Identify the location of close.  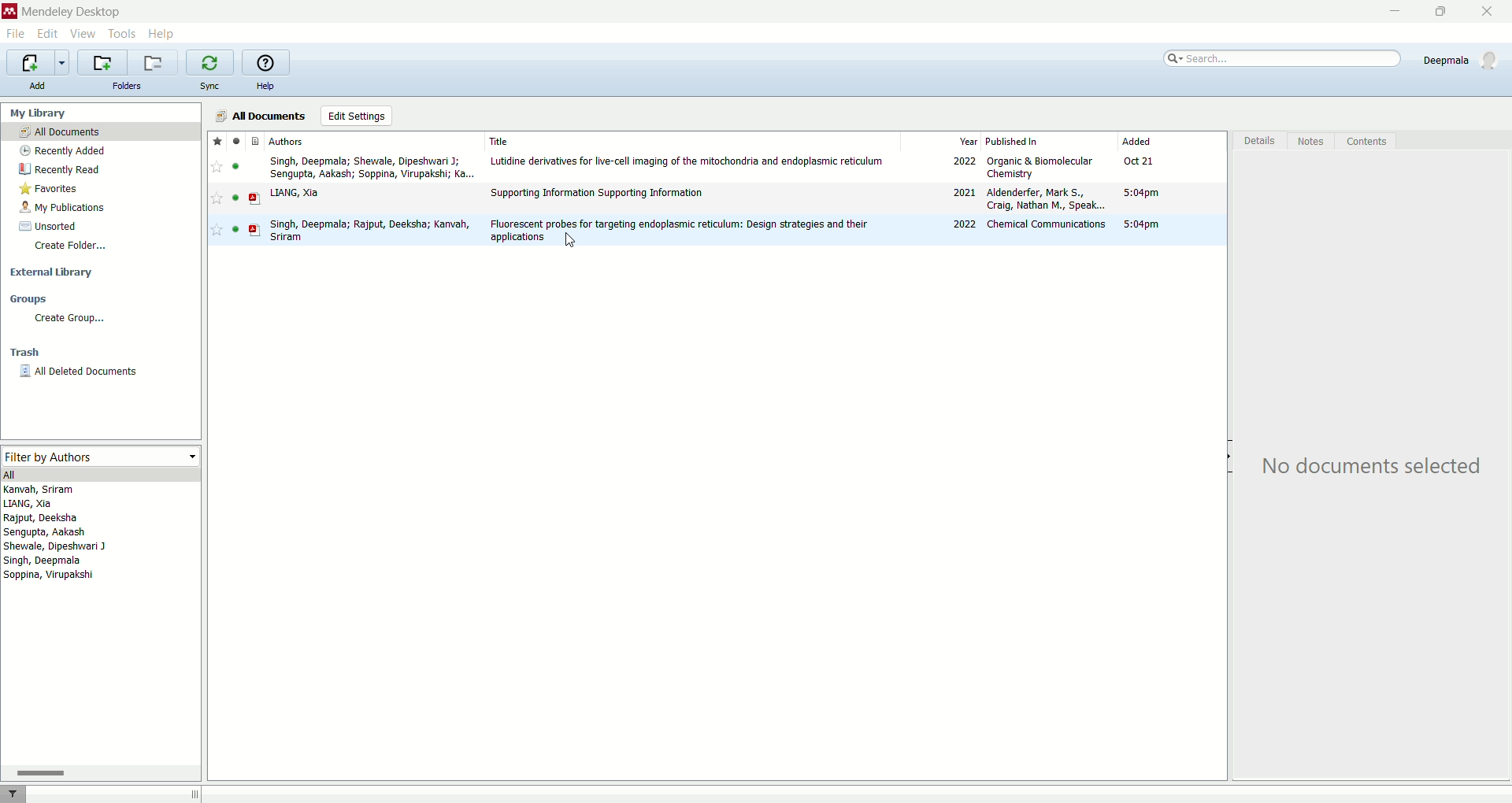
(1487, 12).